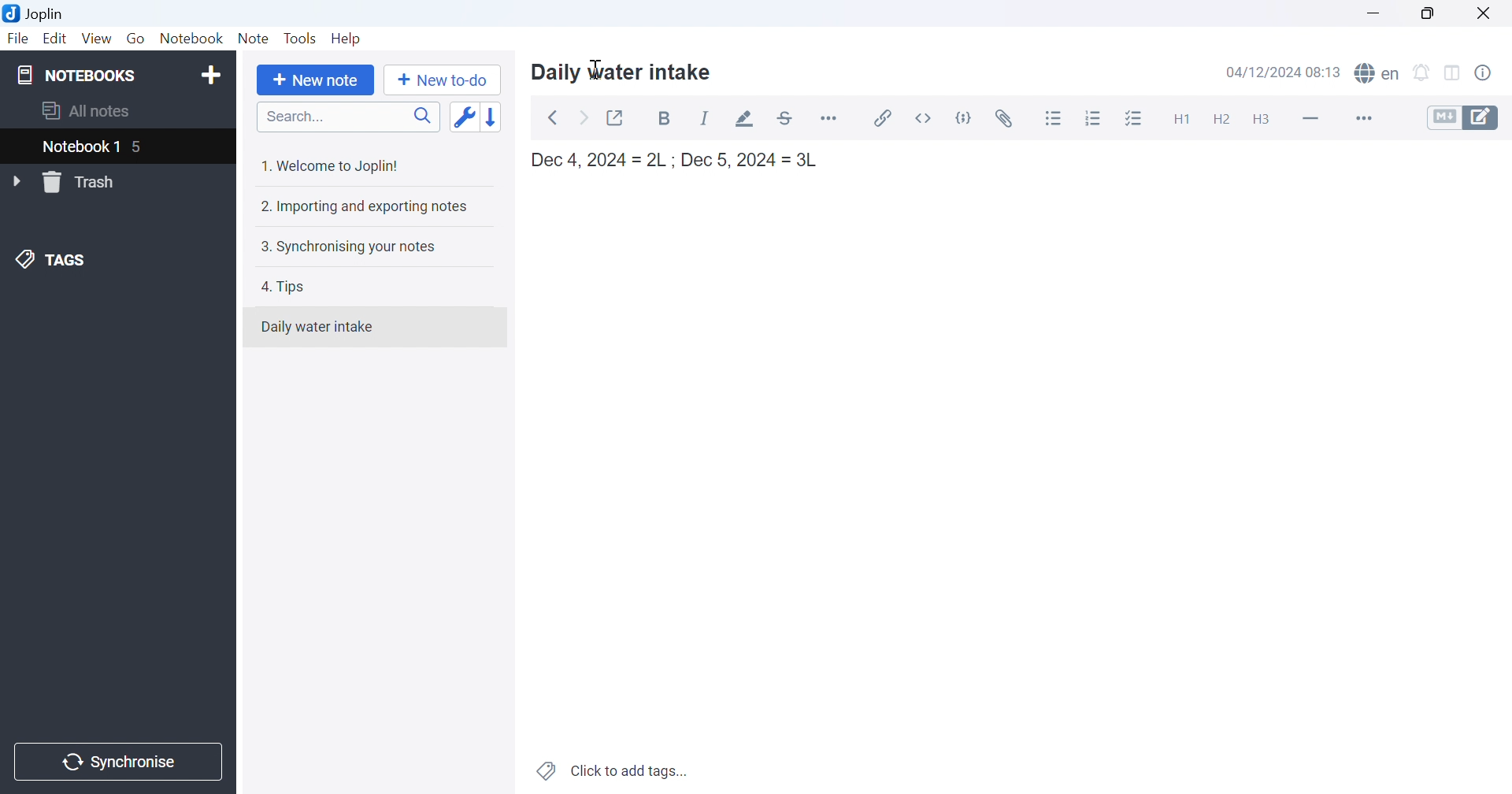  What do you see at coordinates (1464, 118) in the screenshot?
I see `Toggle editors` at bounding box center [1464, 118].